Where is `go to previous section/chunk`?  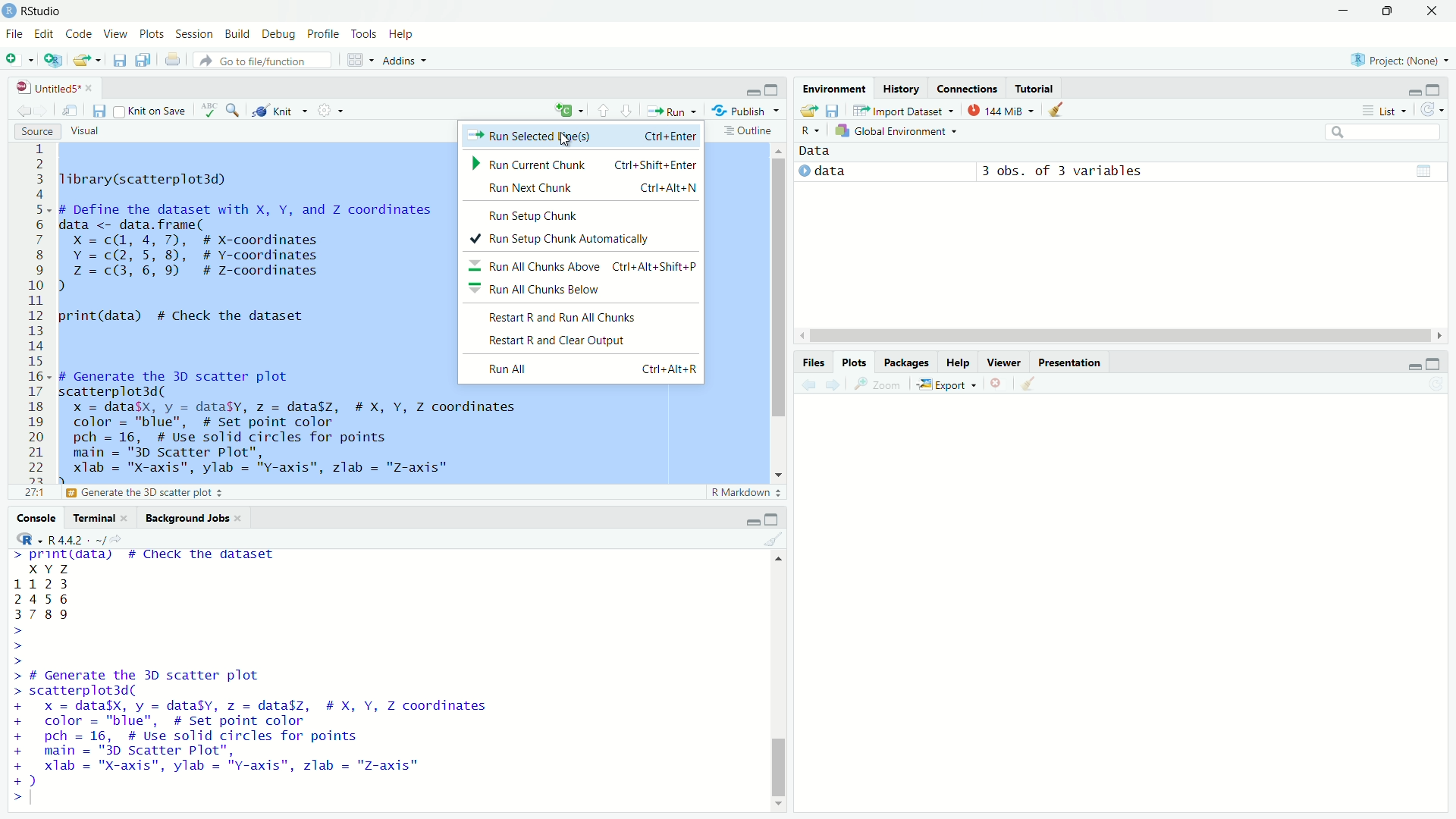
go to previous section/chunk is located at coordinates (604, 111).